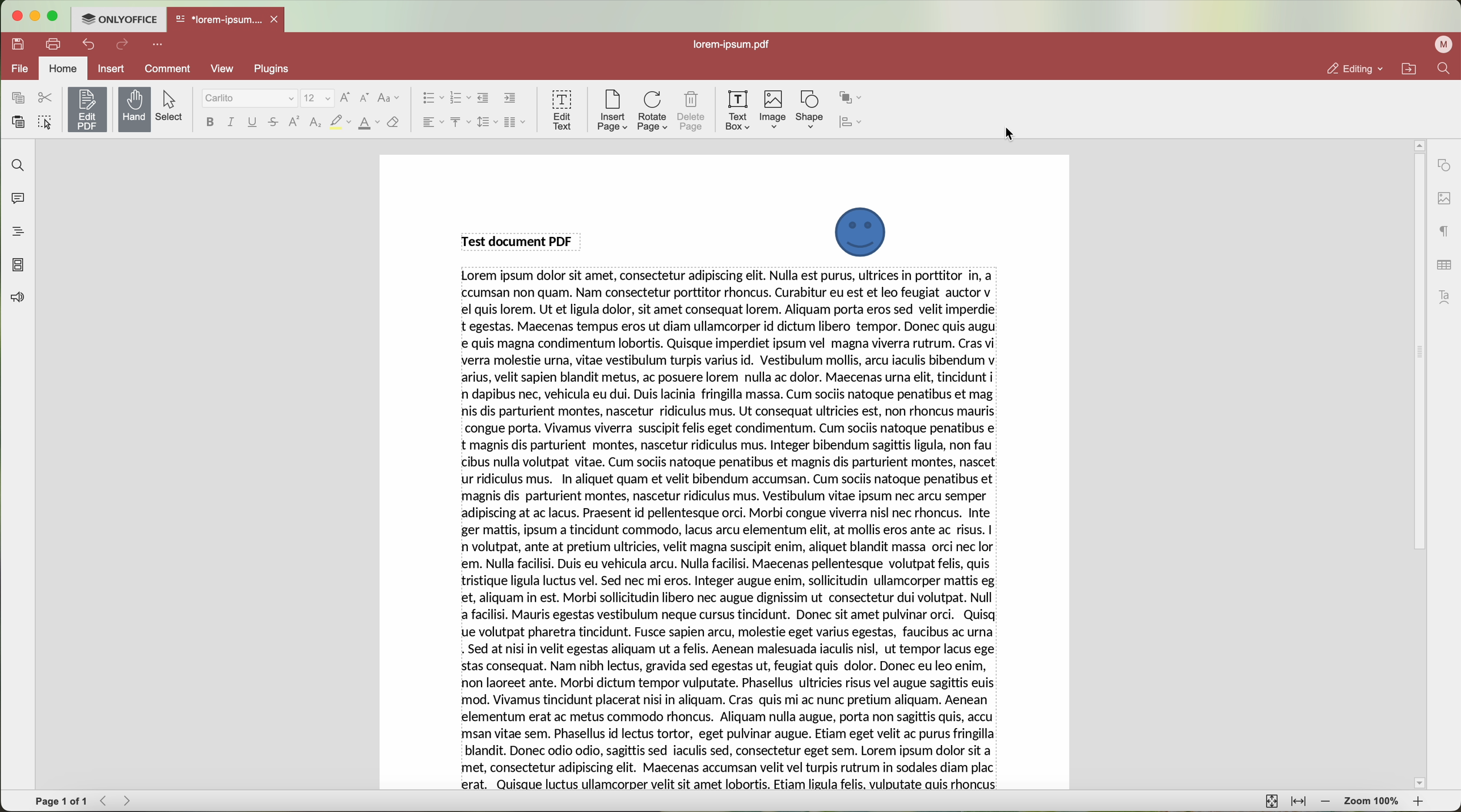  I want to click on edit PDF, so click(90, 107).